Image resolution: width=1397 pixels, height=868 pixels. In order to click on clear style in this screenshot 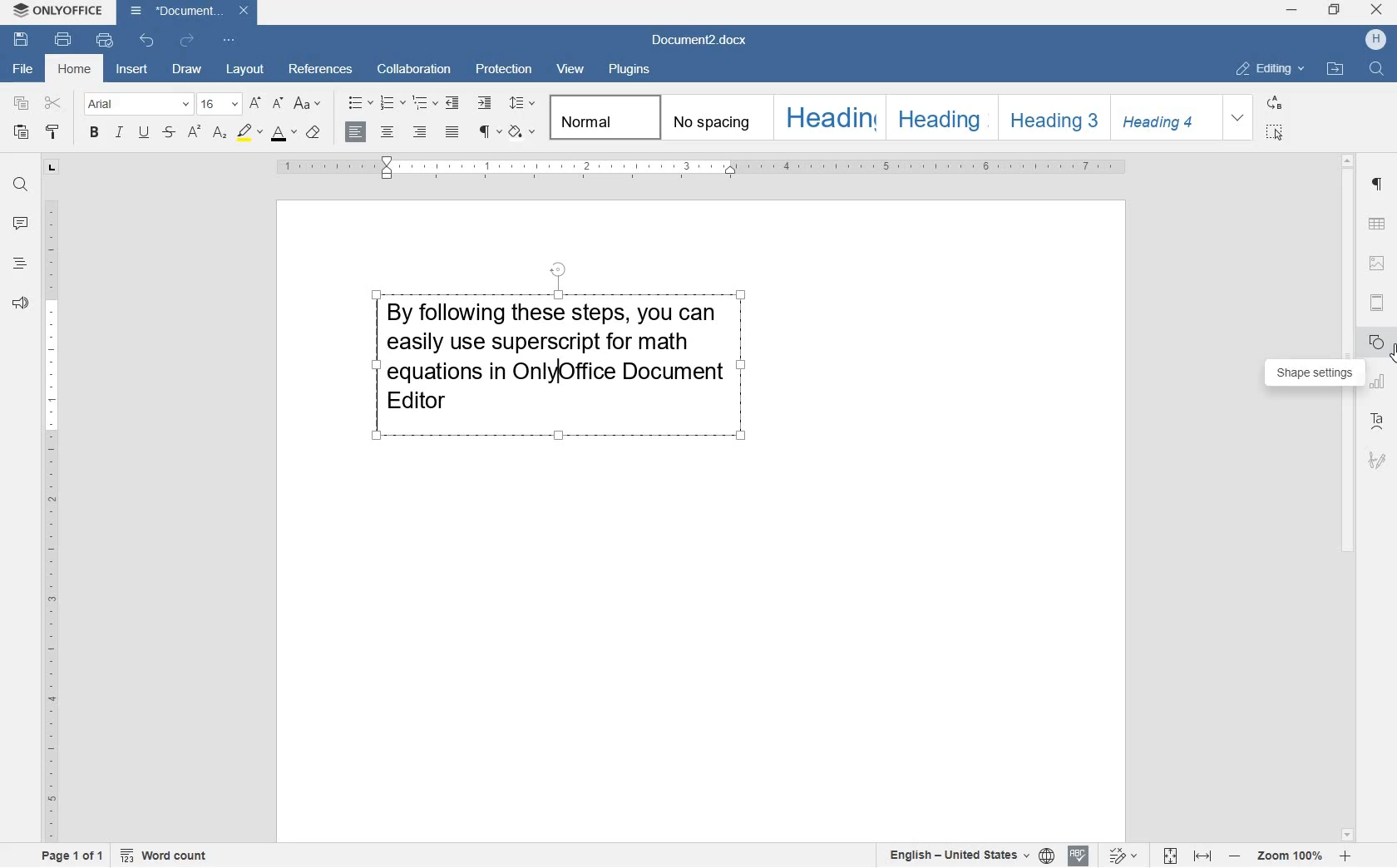, I will do `click(313, 133)`.